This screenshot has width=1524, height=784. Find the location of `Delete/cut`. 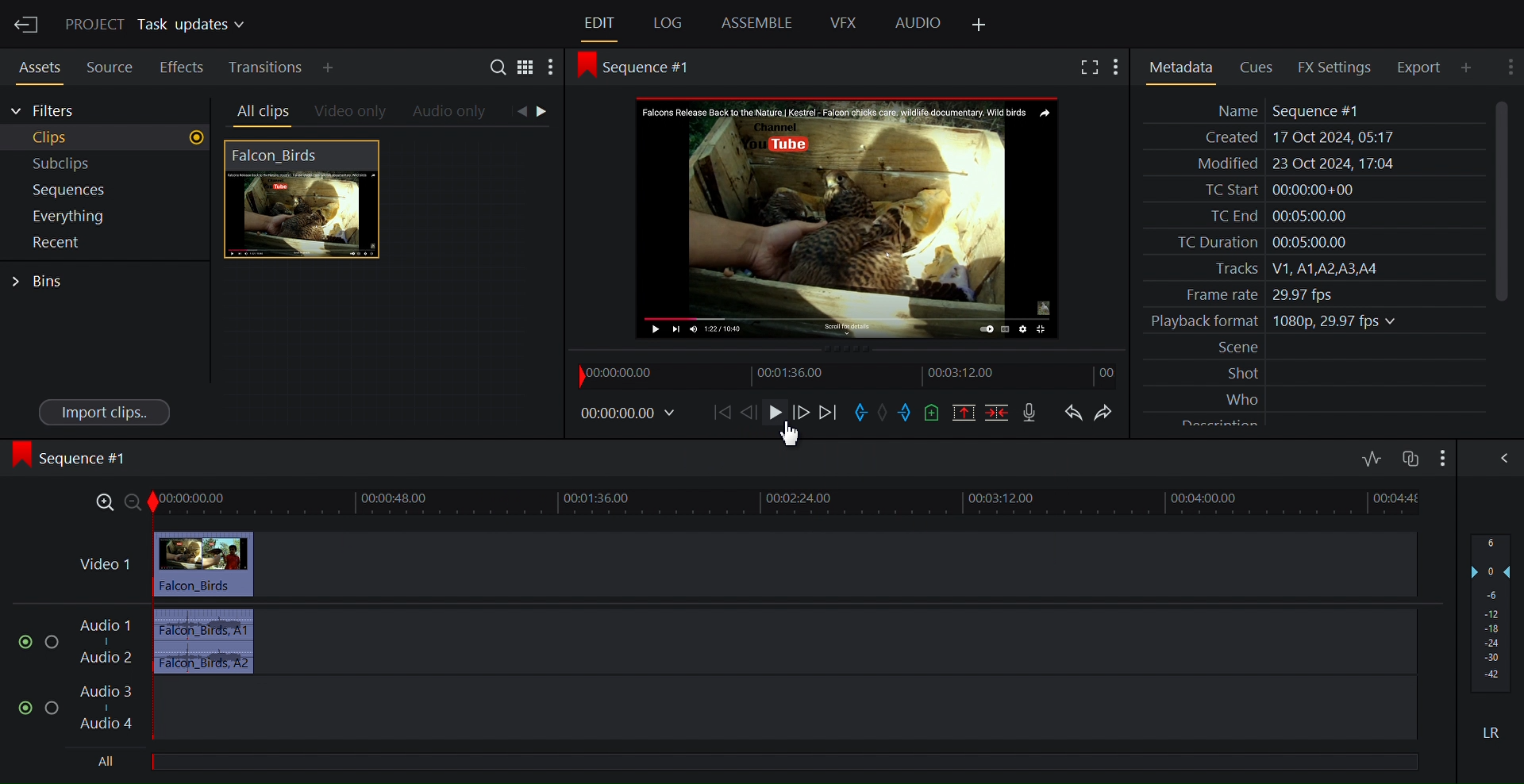

Delete/cut is located at coordinates (999, 413).